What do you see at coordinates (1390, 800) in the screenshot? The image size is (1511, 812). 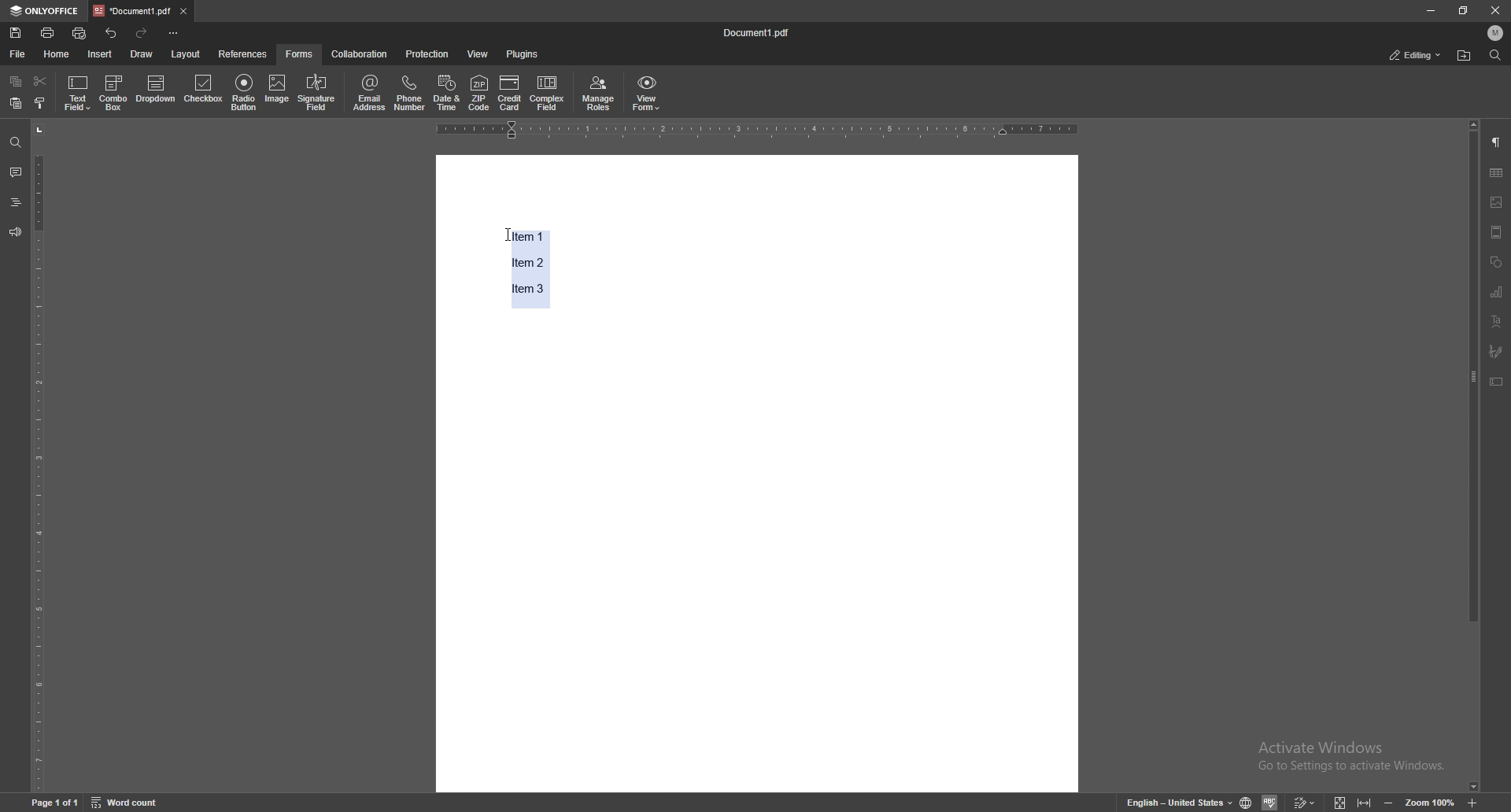 I see `zoom out` at bounding box center [1390, 800].